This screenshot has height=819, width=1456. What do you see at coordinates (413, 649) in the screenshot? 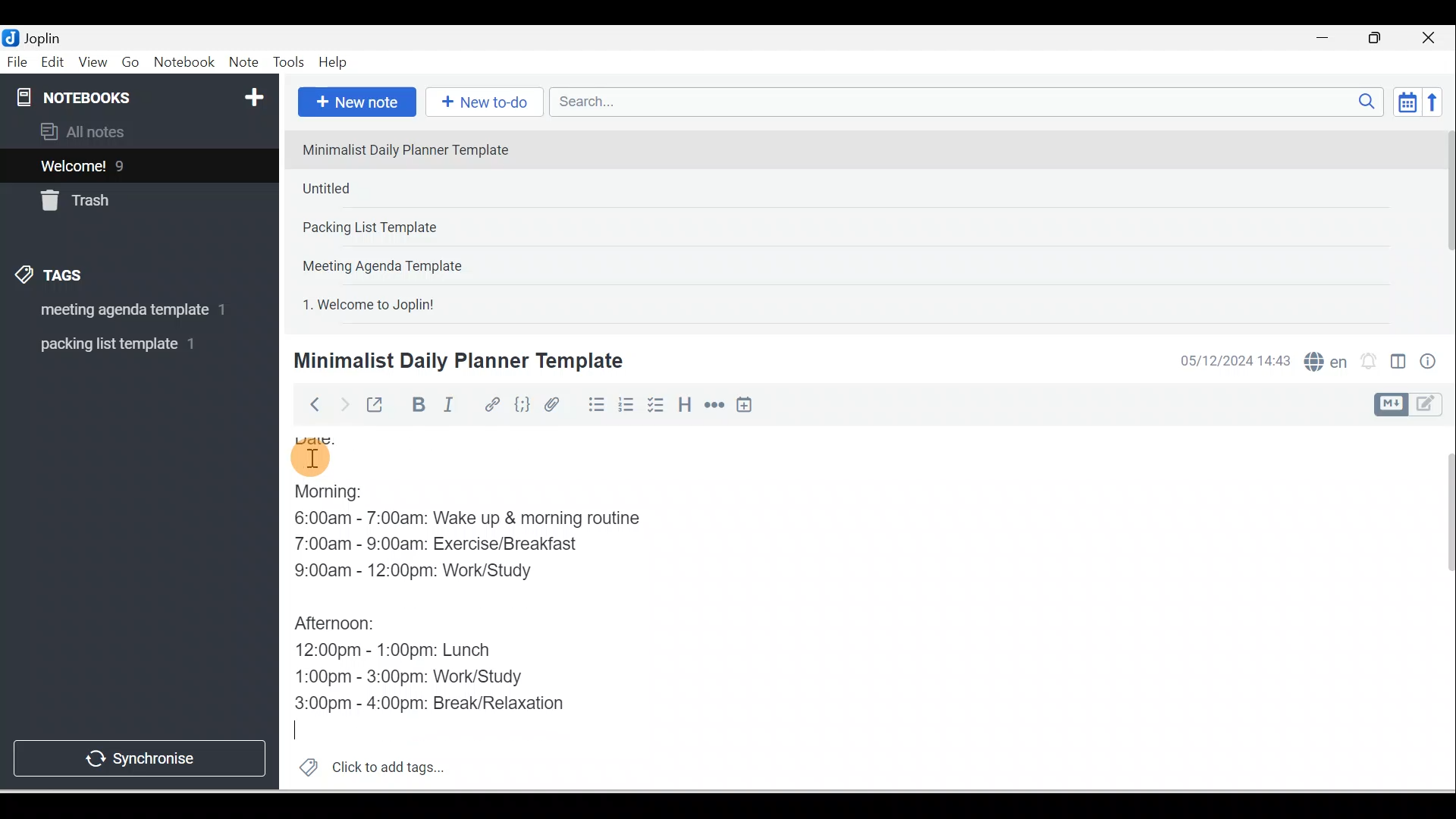
I see `12:00pm - 1:00pm: Lunch` at bounding box center [413, 649].